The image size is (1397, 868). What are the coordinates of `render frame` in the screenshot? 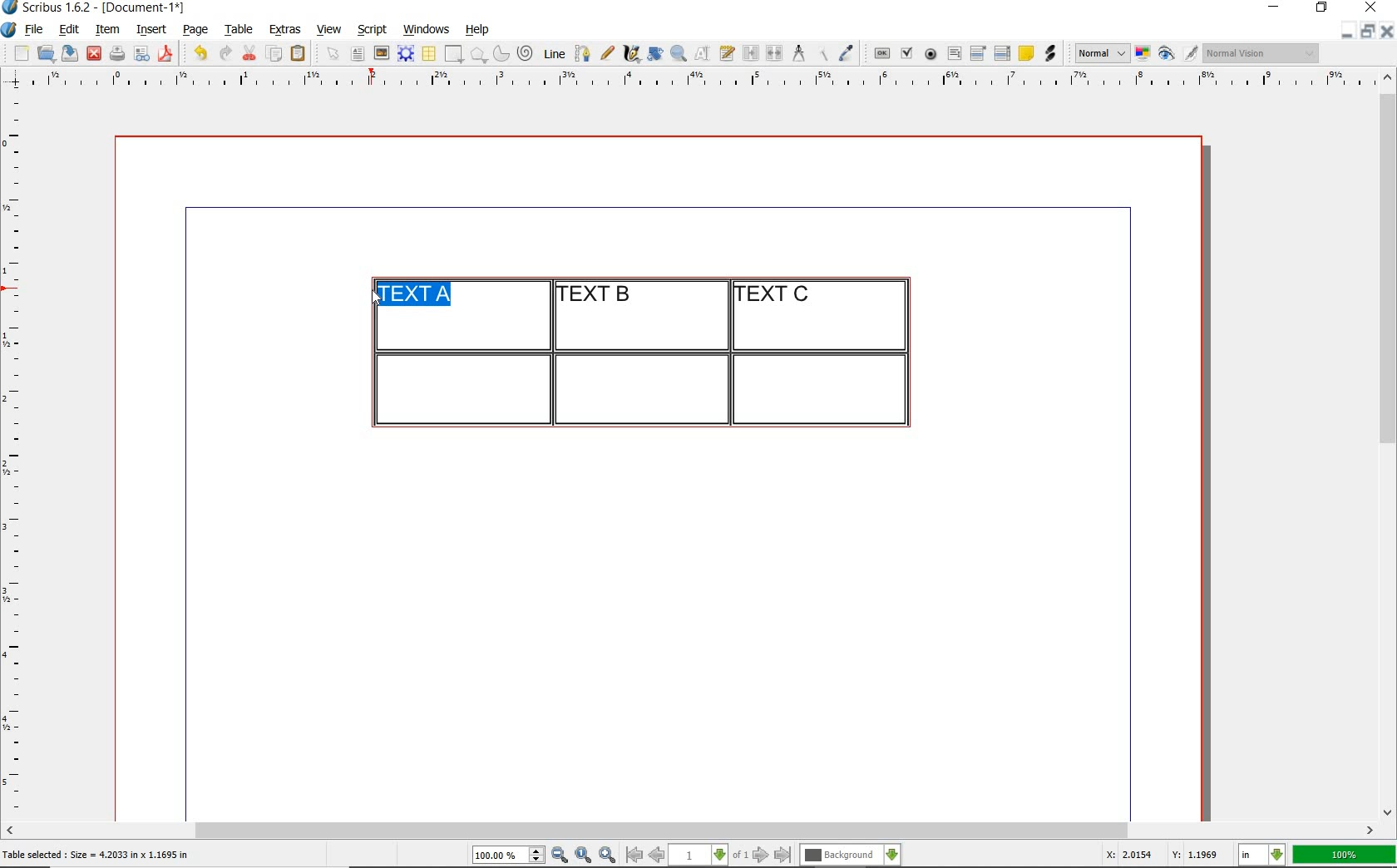 It's located at (406, 54).